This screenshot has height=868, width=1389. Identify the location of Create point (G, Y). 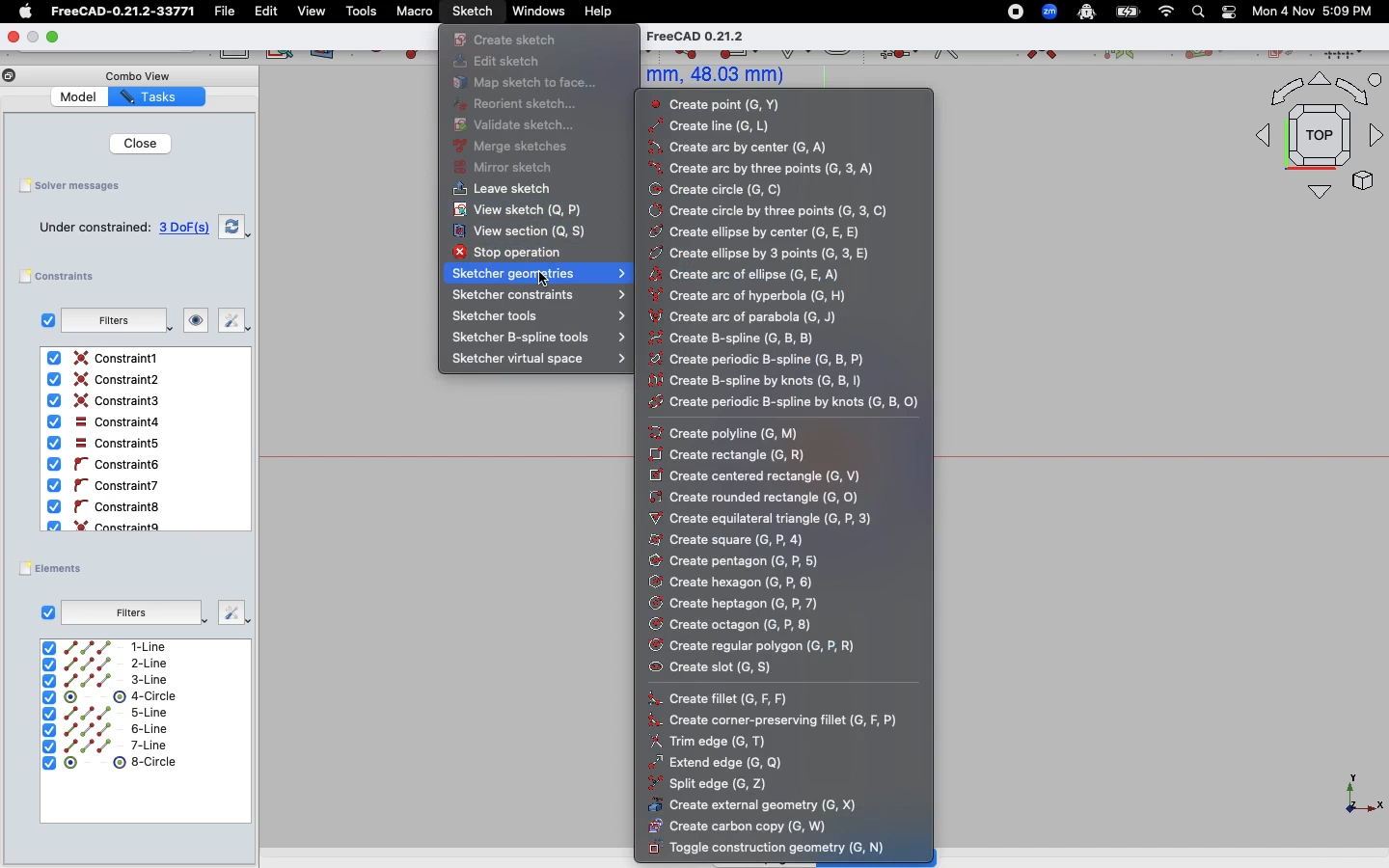
(721, 105).